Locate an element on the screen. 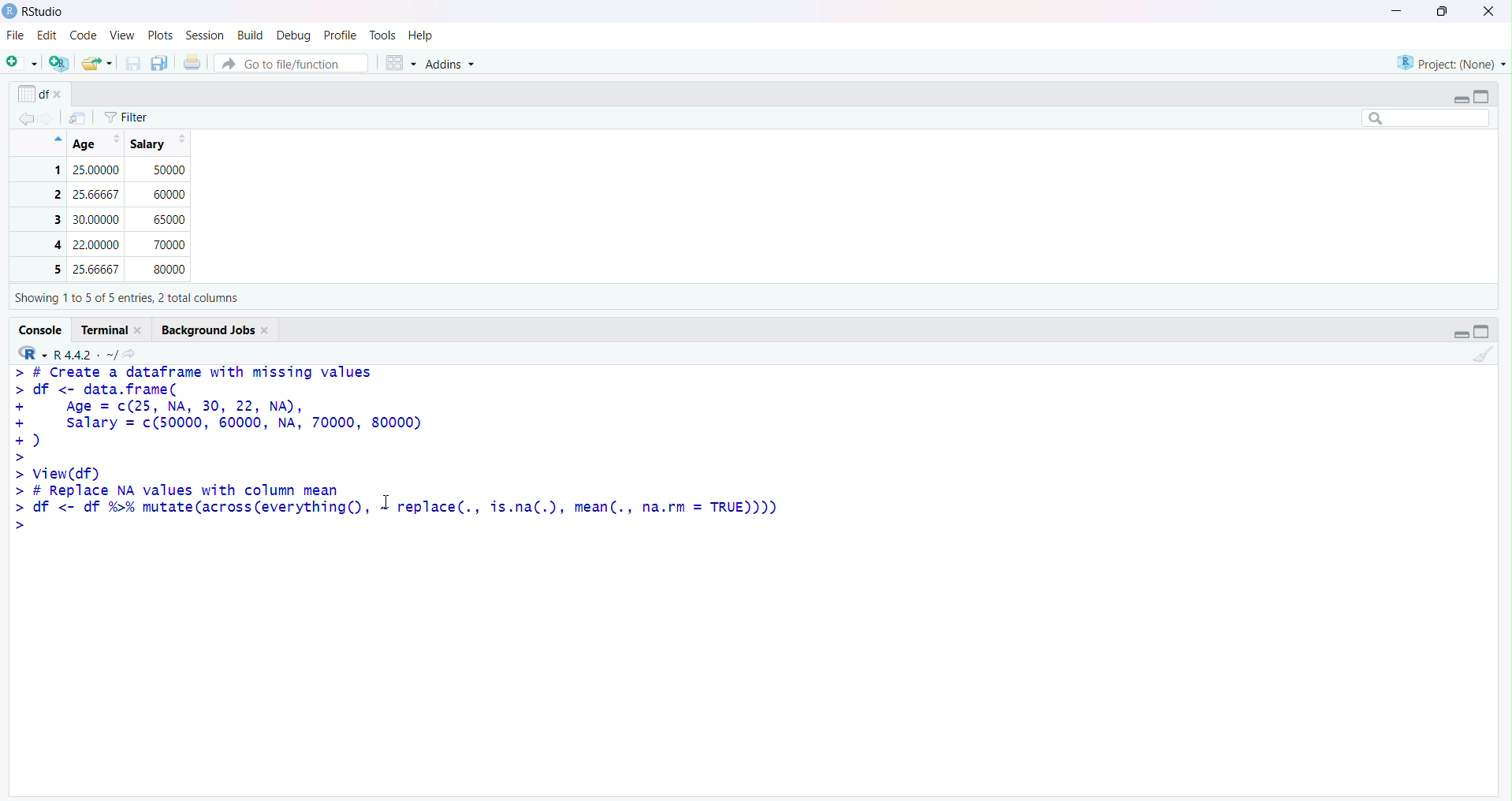 The height and width of the screenshot is (801, 1512). R.4.4.2 ~/ is located at coordinates (84, 351).